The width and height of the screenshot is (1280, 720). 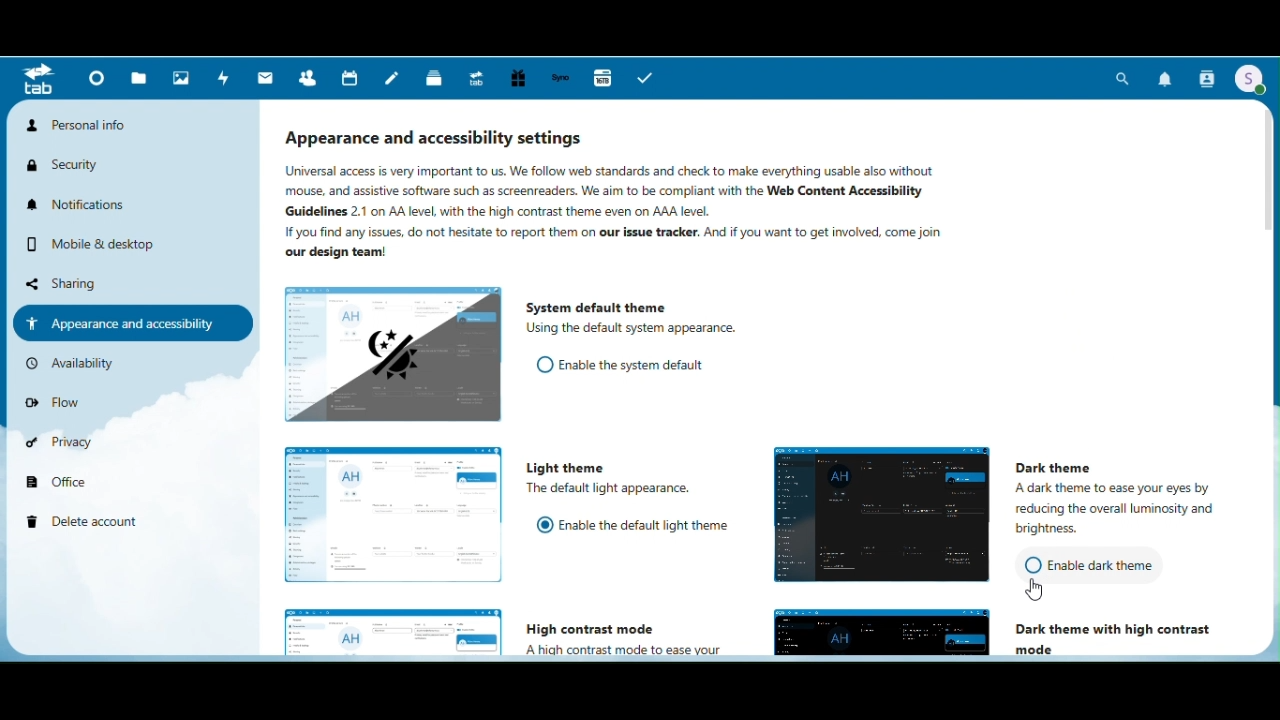 I want to click on Free trial, so click(x=520, y=78).